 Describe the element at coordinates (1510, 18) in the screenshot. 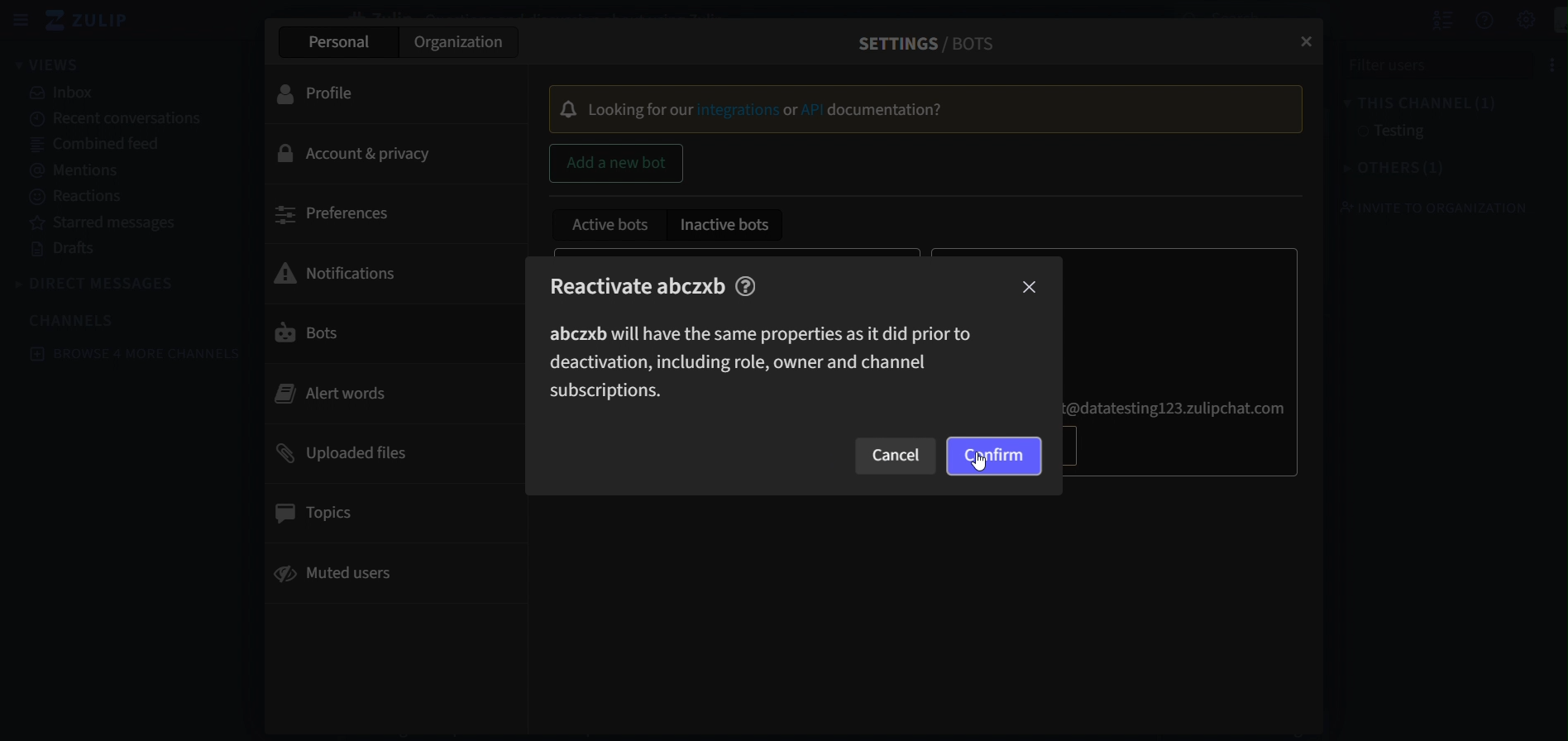

I see `settings` at that location.